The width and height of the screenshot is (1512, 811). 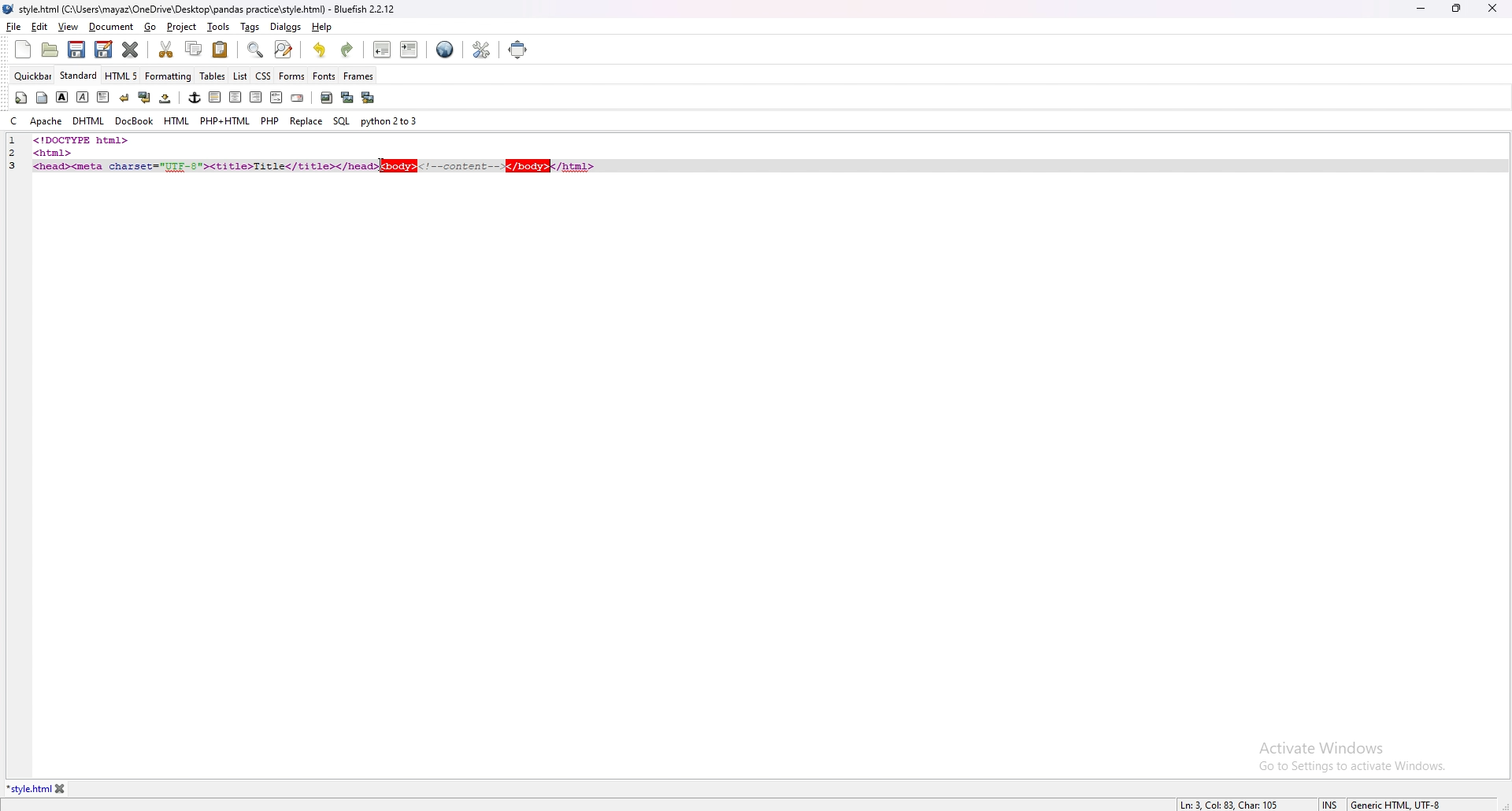 I want to click on insert thumbnail, so click(x=346, y=98).